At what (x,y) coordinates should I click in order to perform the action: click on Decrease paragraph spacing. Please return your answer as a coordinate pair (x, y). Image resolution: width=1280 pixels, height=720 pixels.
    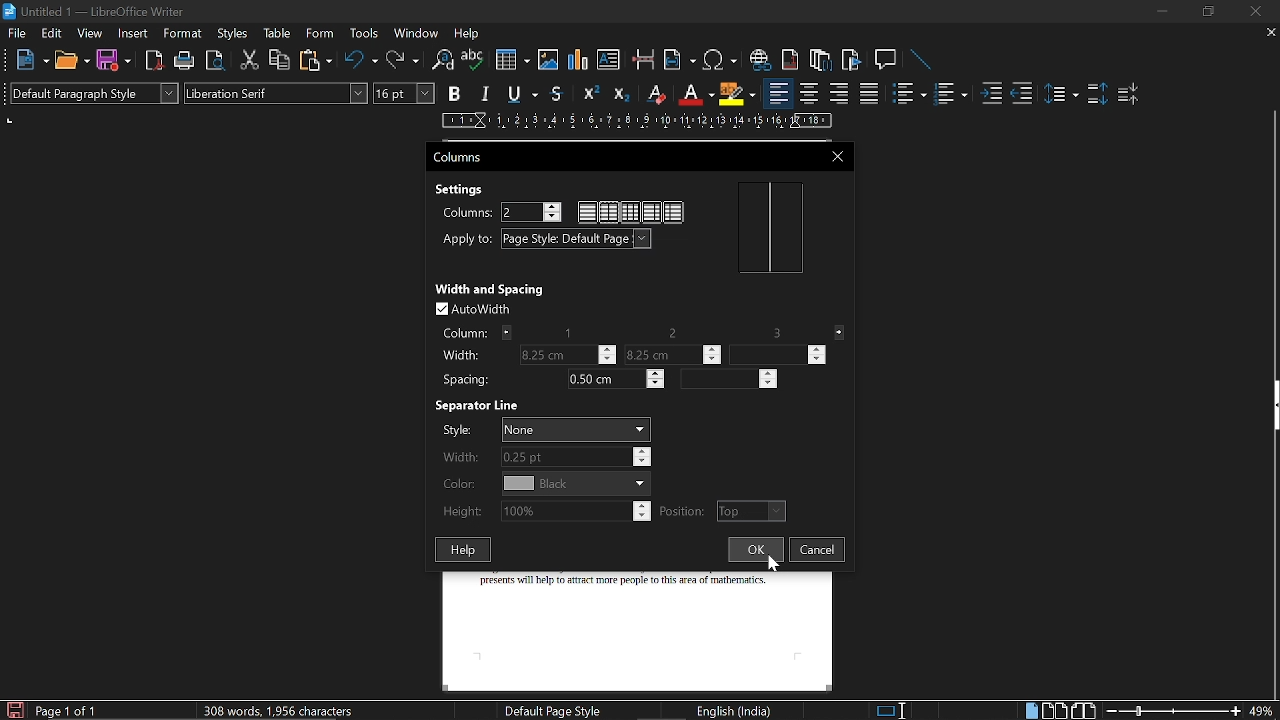
    Looking at the image, I should click on (1128, 93).